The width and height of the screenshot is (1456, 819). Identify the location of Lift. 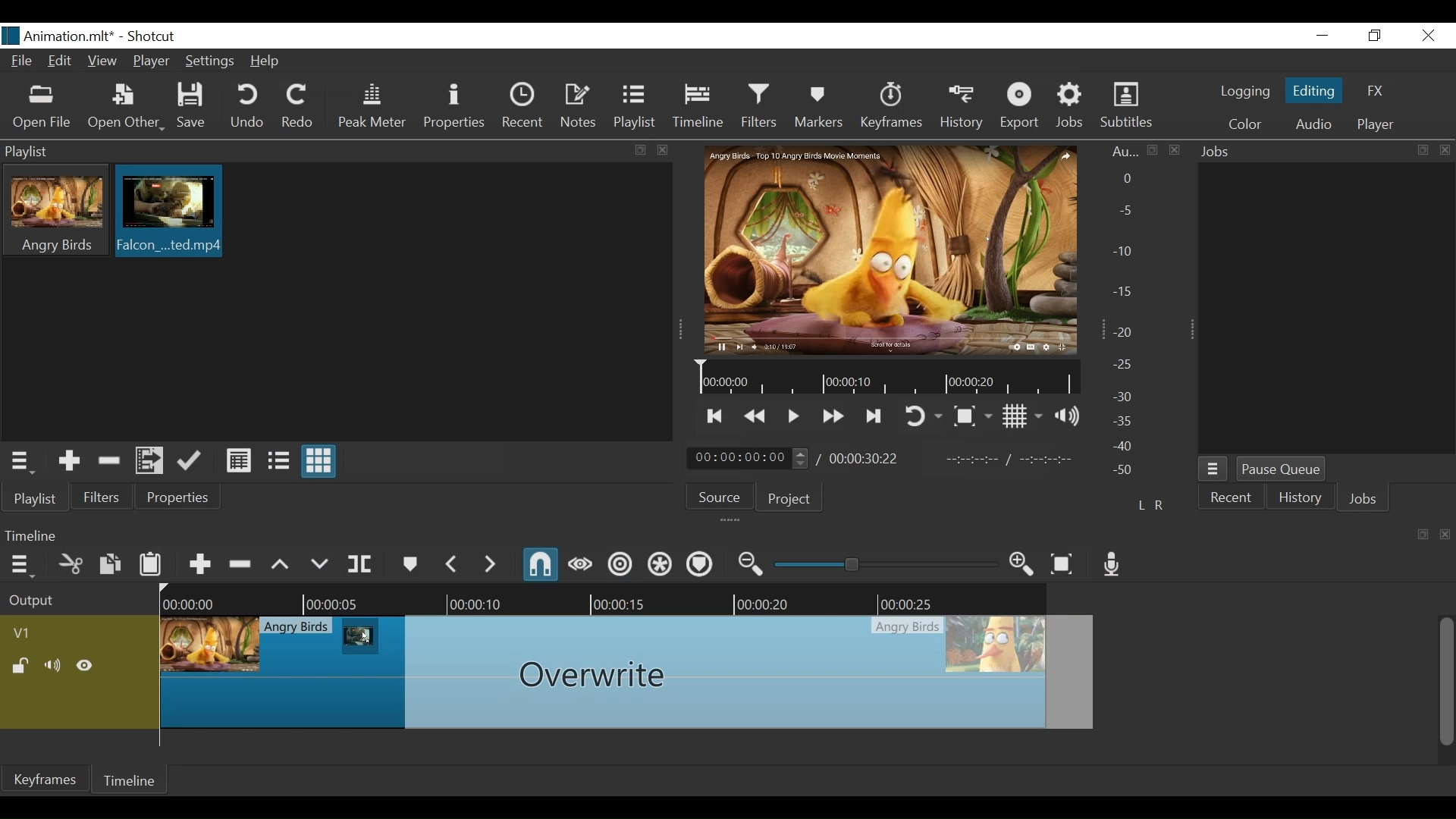
(281, 563).